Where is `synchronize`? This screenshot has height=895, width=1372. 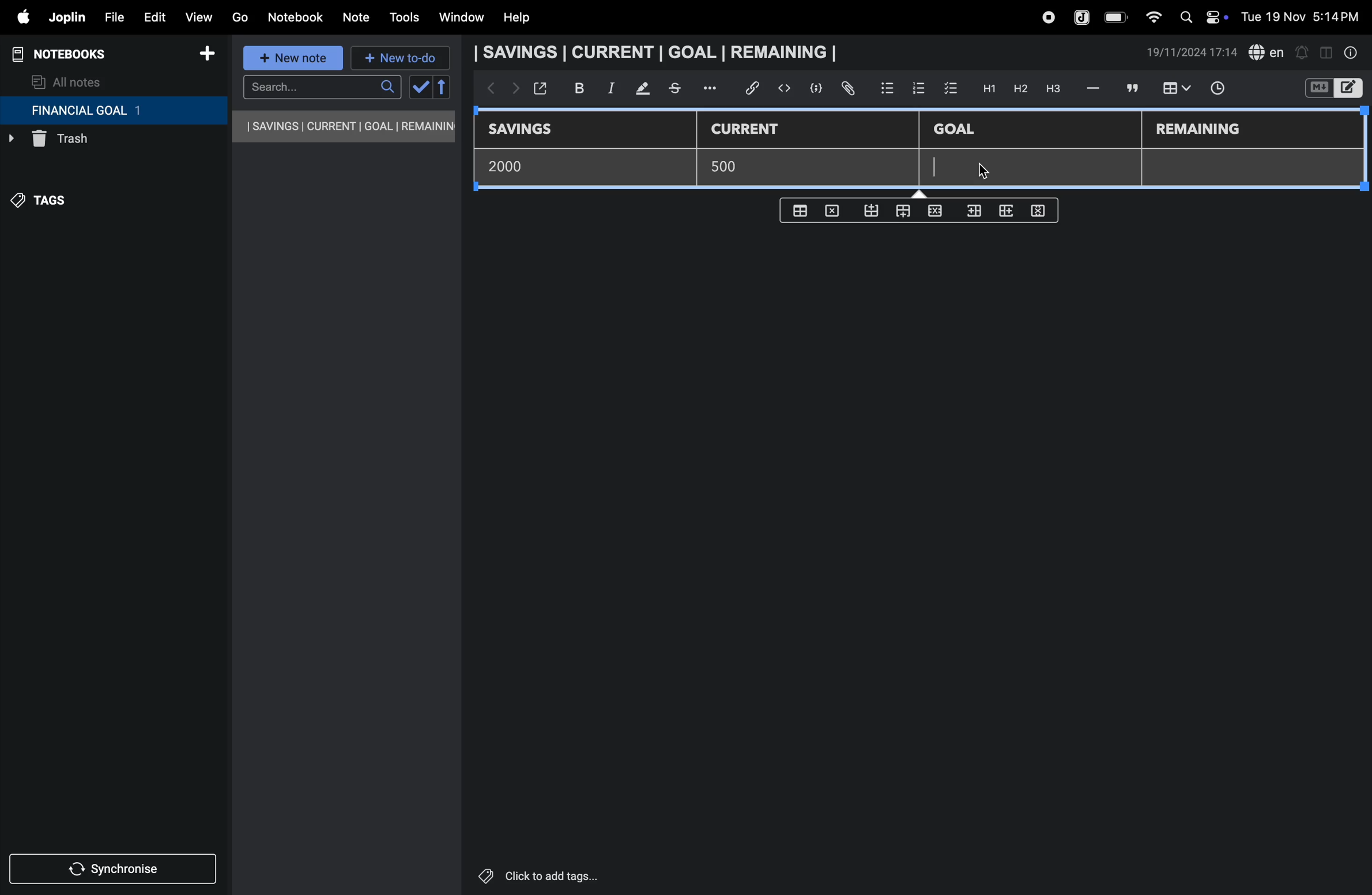 synchronize is located at coordinates (114, 867).